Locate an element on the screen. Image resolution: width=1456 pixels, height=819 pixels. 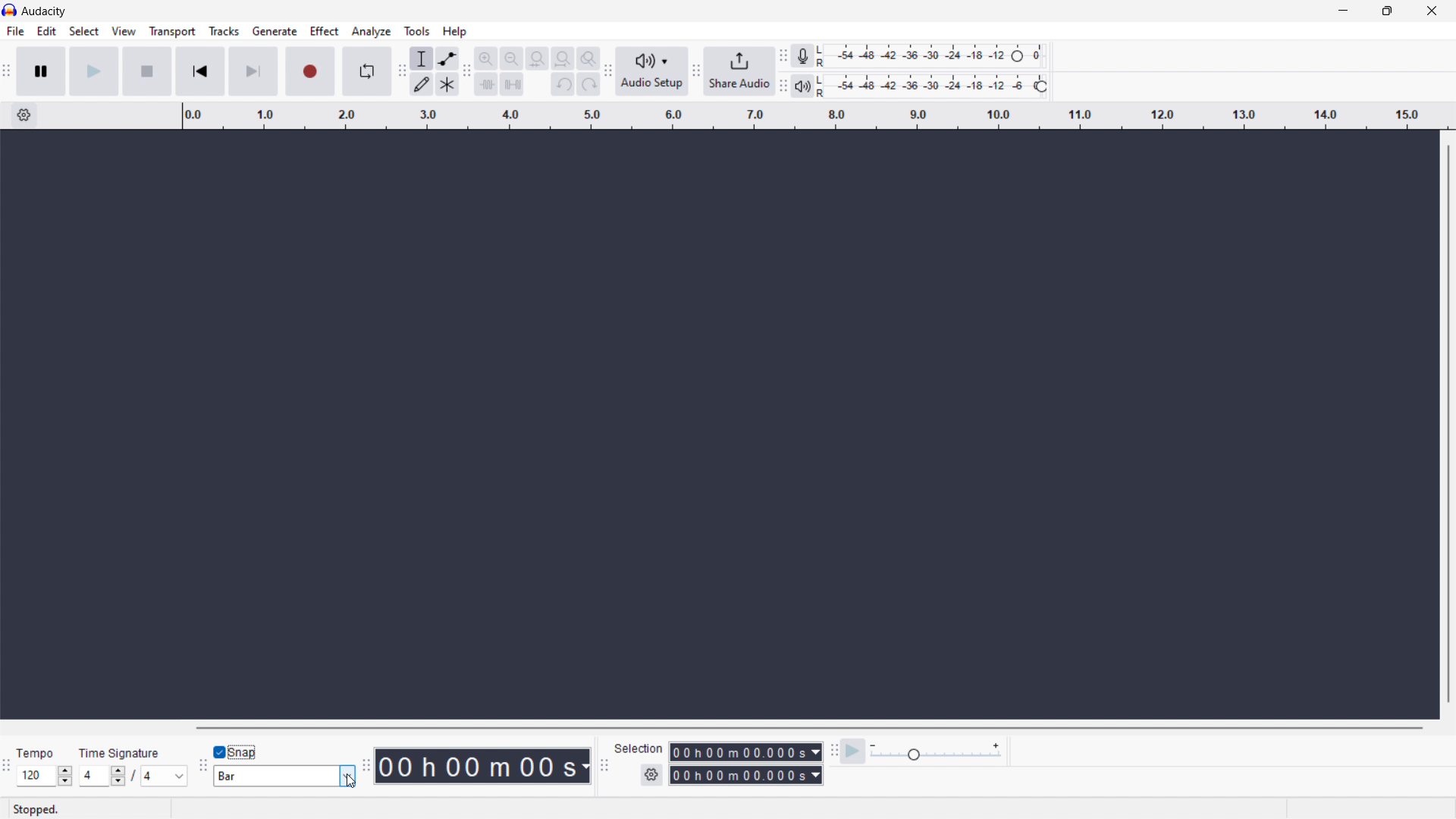
recording meter toolbar is located at coordinates (783, 55).